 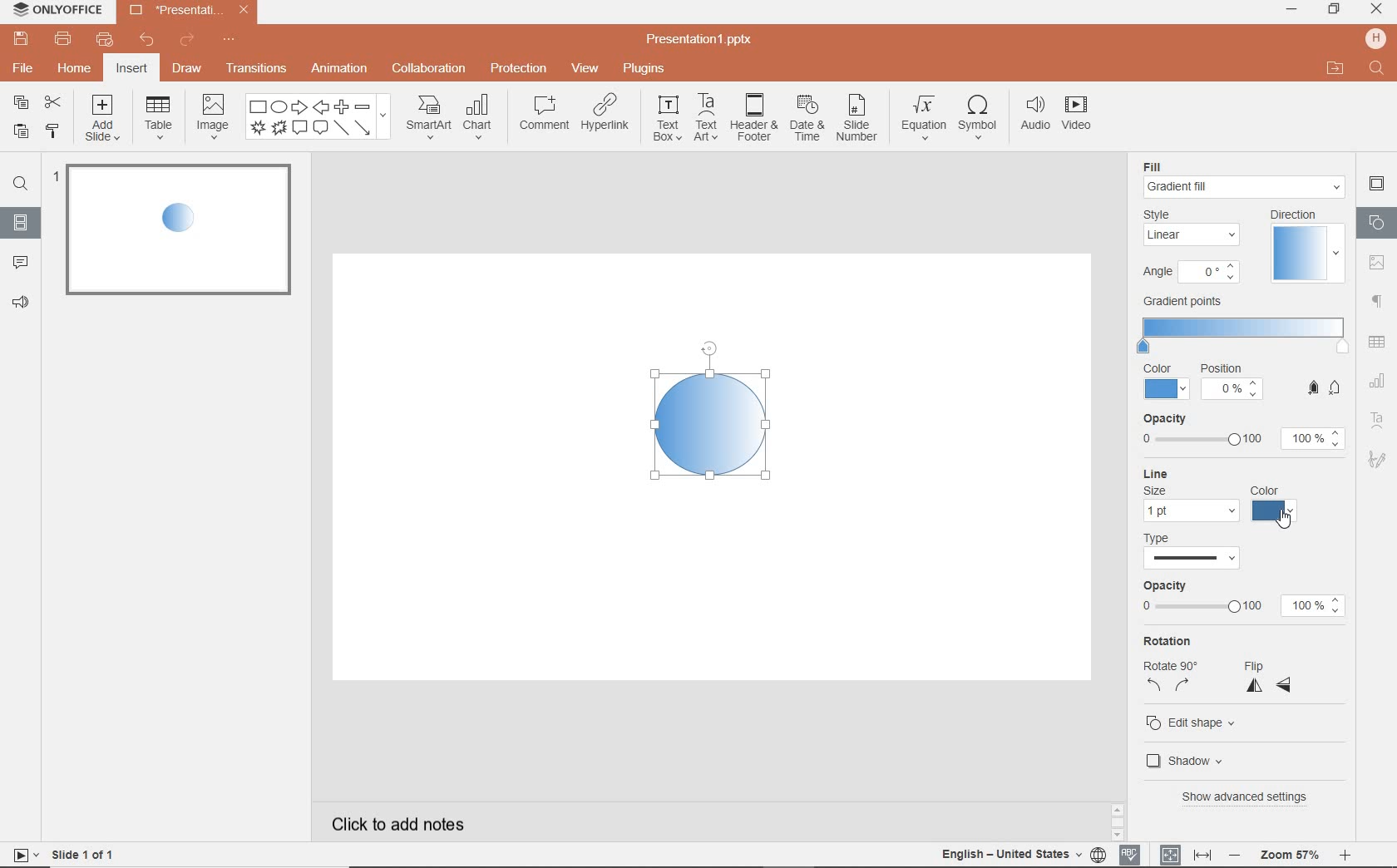 What do you see at coordinates (1162, 165) in the screenshot?
I see `fill` at bounding box center [1162, 165].